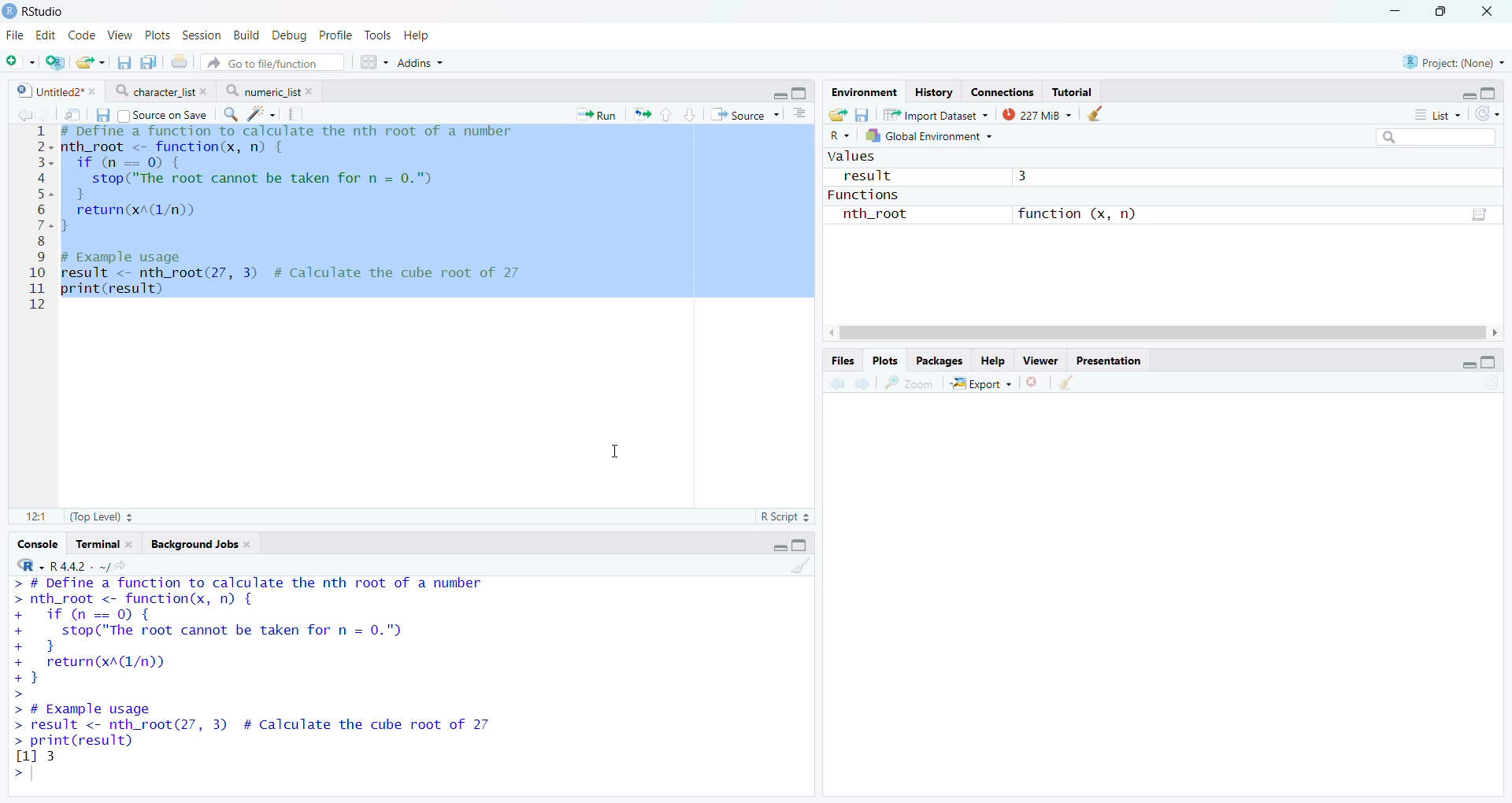  Describe the element at coordinates (335, 35) in the screenshot. I see `Profile` at that location.